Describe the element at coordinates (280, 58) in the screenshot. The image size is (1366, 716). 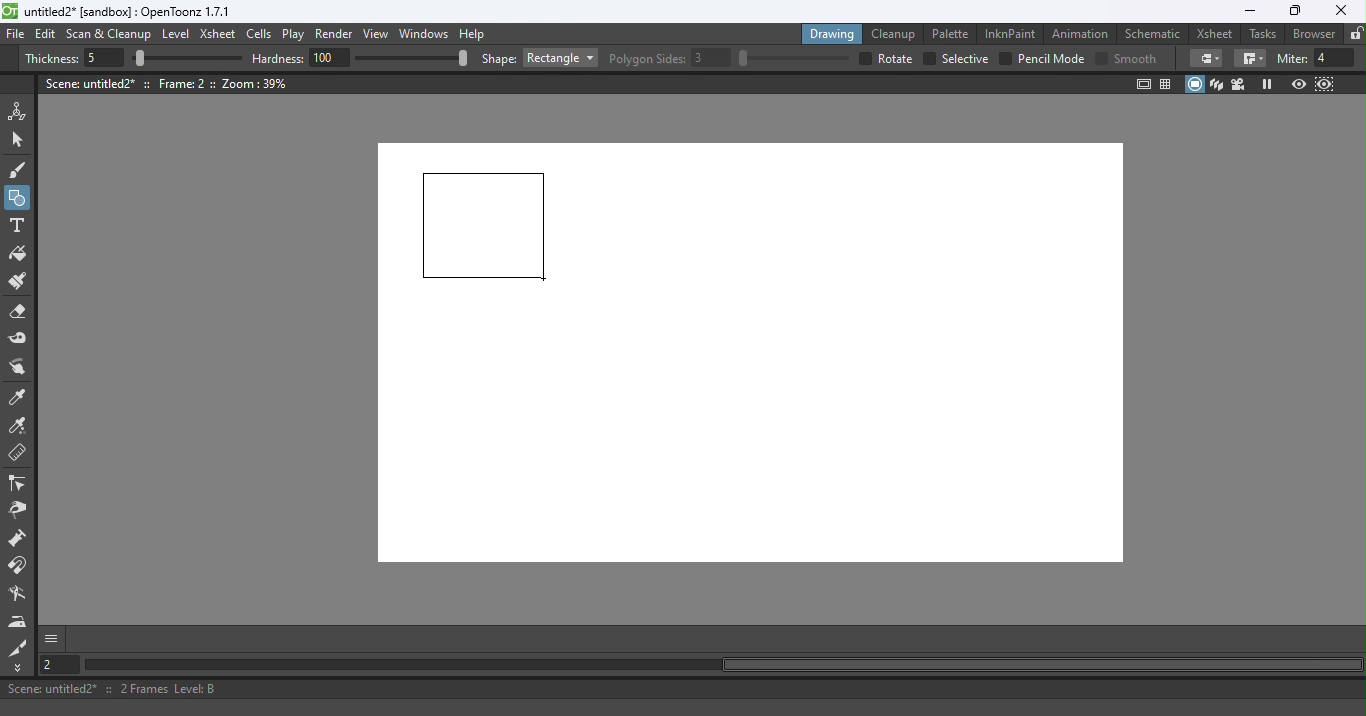
I see `hardness` at that location.